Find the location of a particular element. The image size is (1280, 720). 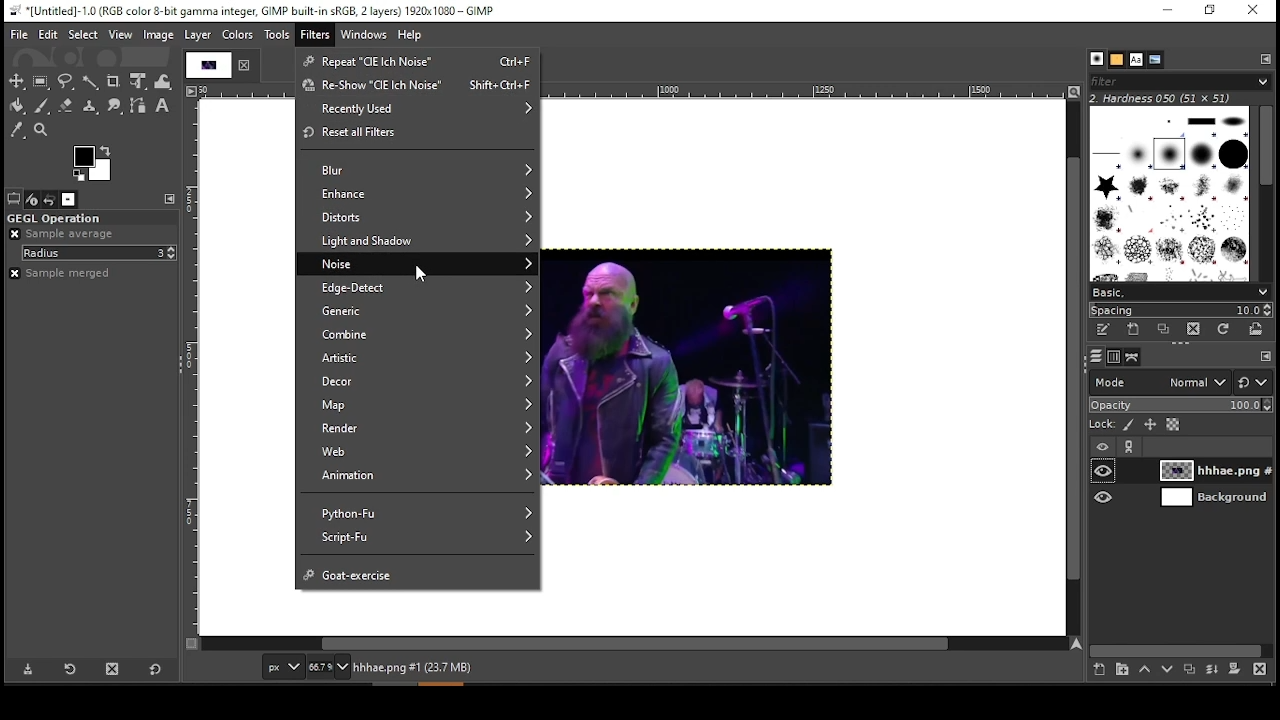

channels is located at coordinates (1111, 357).